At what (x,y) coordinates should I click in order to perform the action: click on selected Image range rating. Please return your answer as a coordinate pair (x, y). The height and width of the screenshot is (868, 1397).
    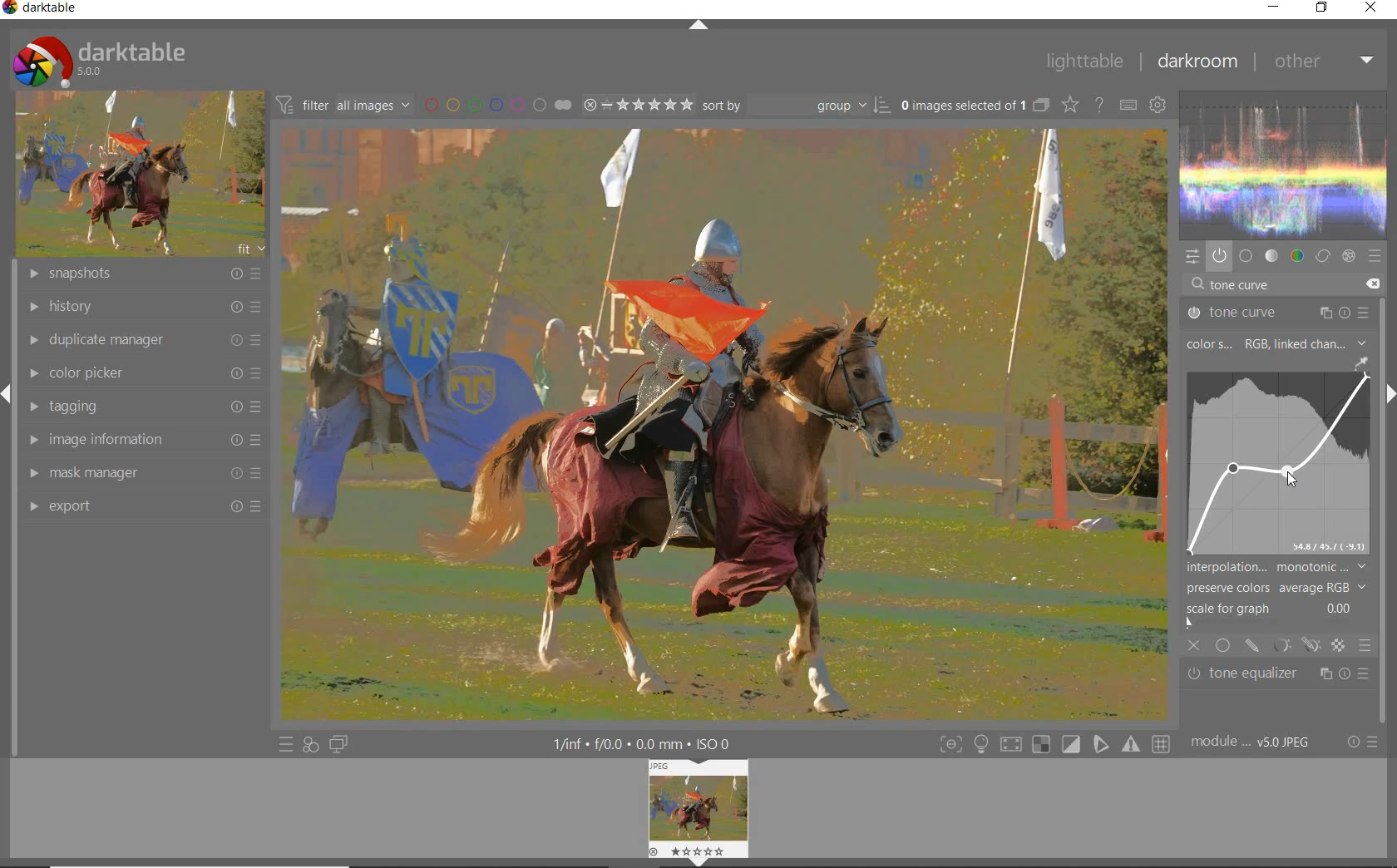
    Looking at the image, I should click on (636, 105).